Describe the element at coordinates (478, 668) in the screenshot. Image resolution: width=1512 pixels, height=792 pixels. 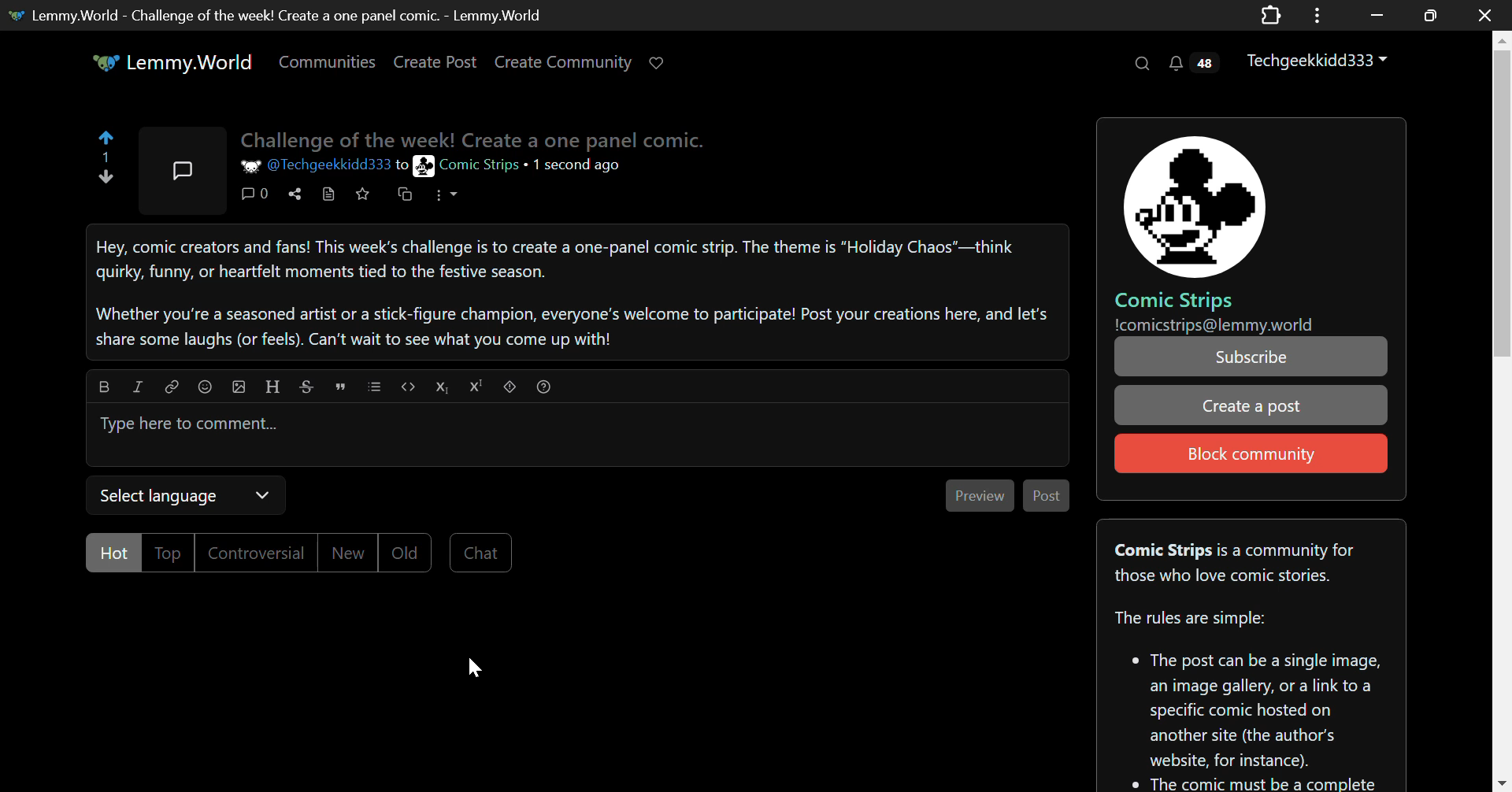
I see `Cursor Position AFTER_LAST_ACTION` at that location.